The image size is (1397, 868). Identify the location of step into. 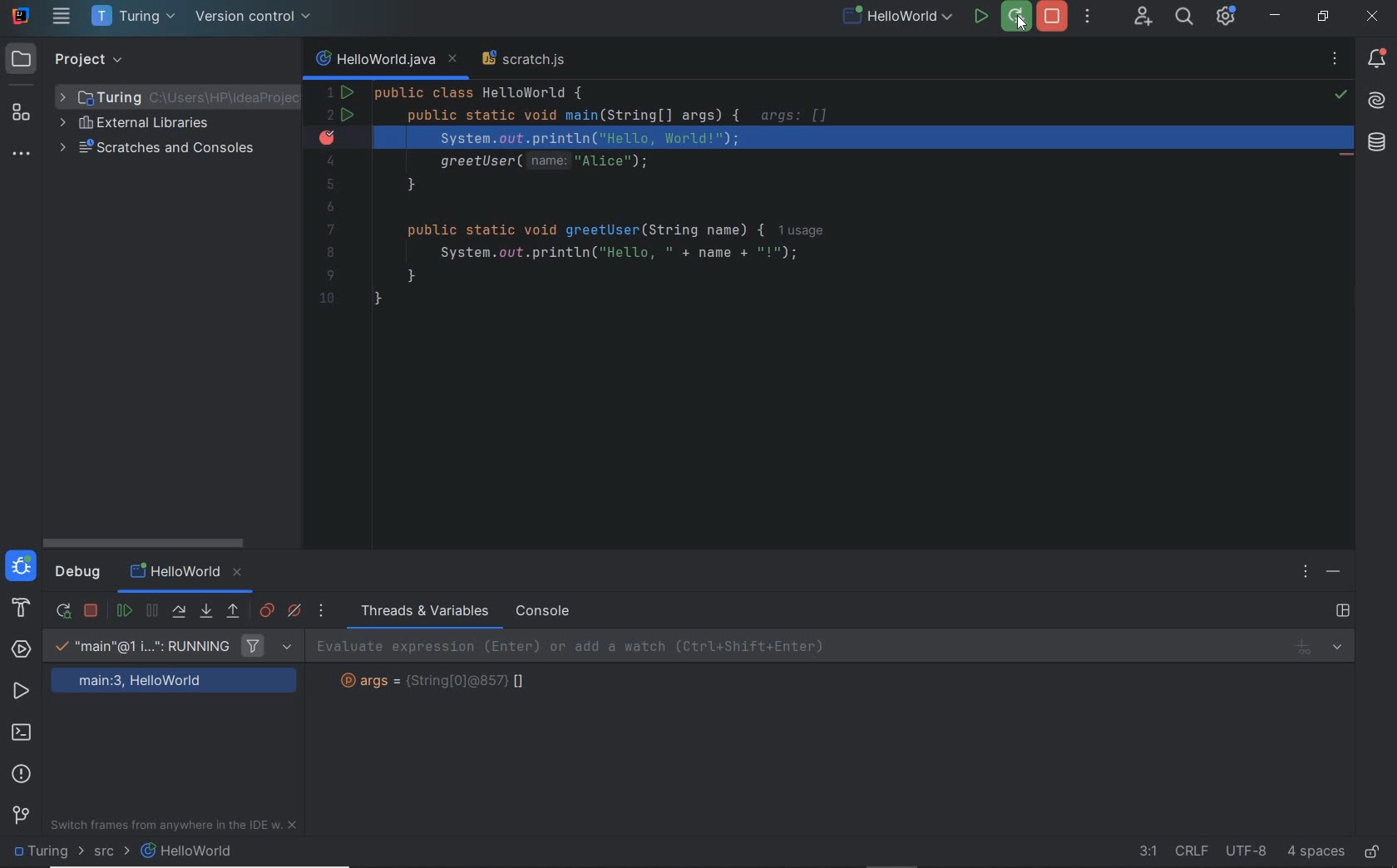
(205, 611).